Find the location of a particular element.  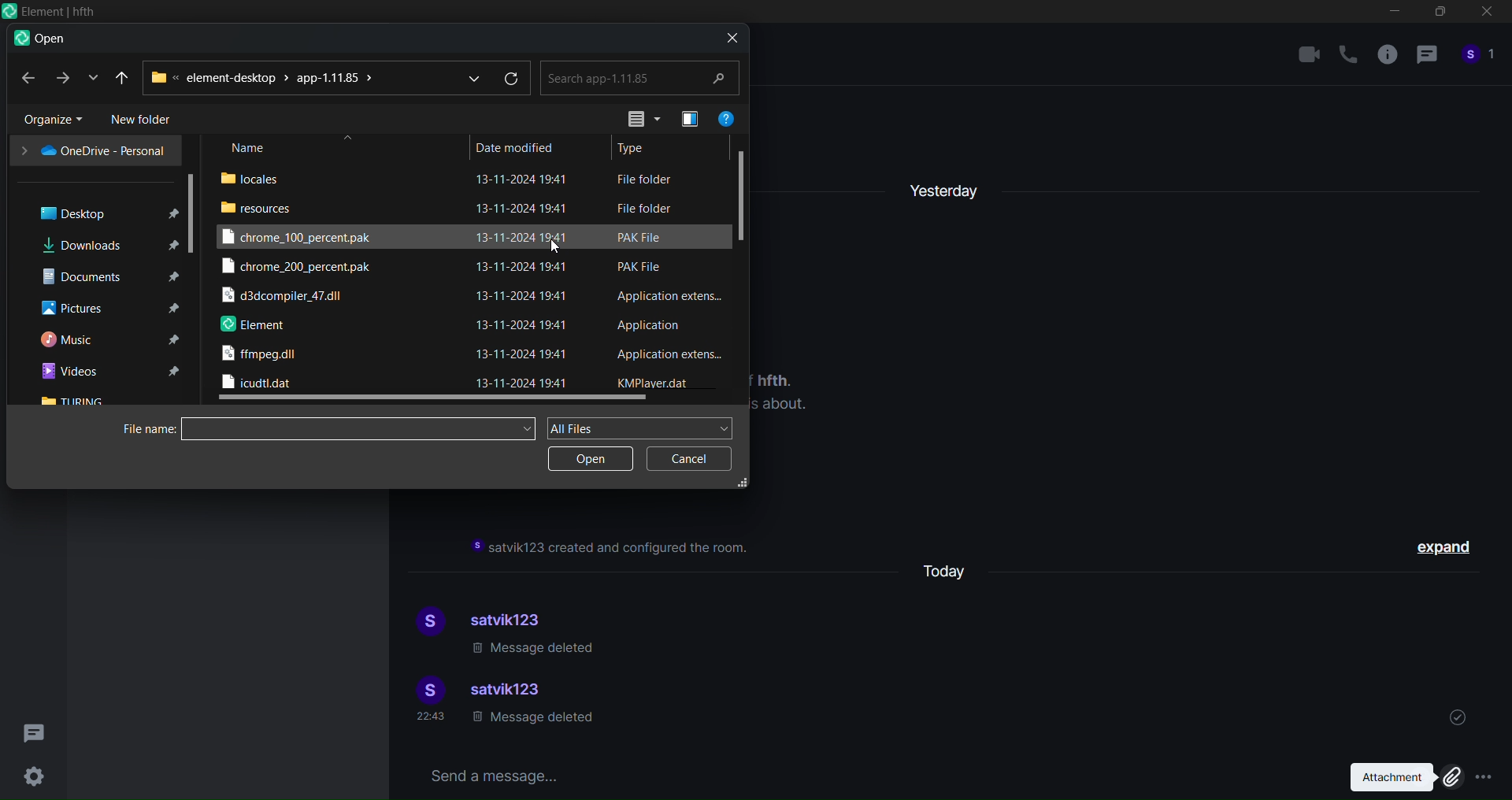

turing folder is located at coordinates (76, 401).